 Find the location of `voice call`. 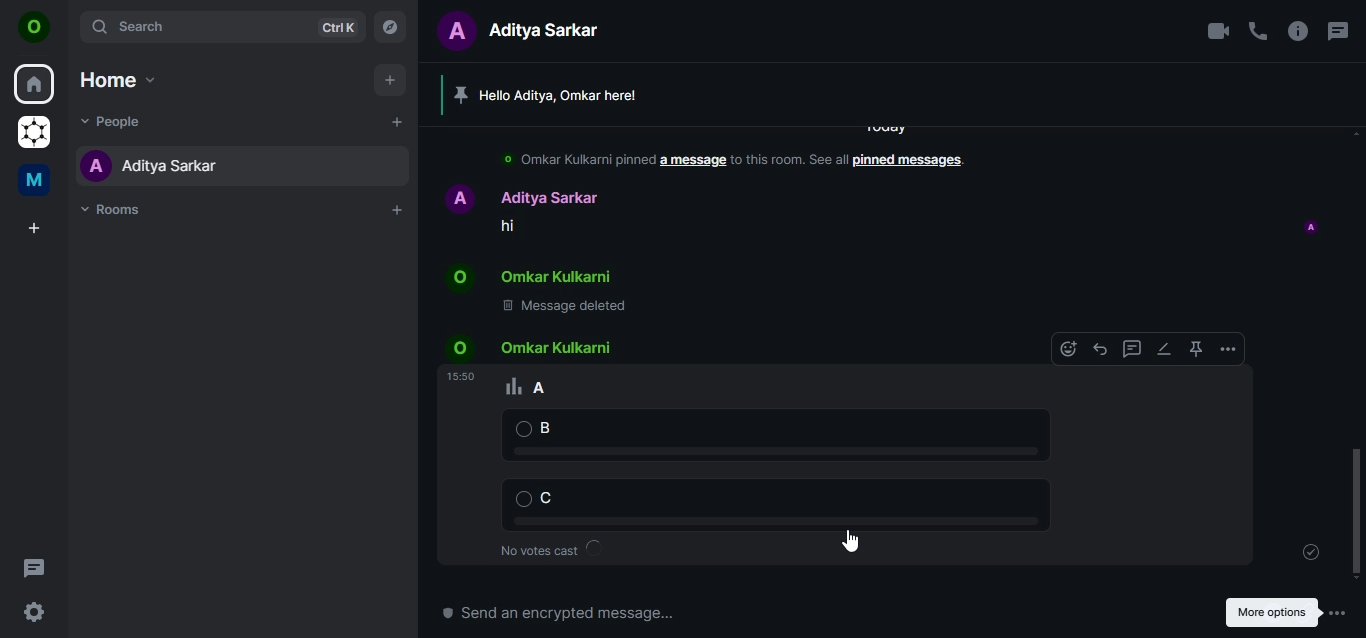

voice call is located at coordinates (1258, 31).